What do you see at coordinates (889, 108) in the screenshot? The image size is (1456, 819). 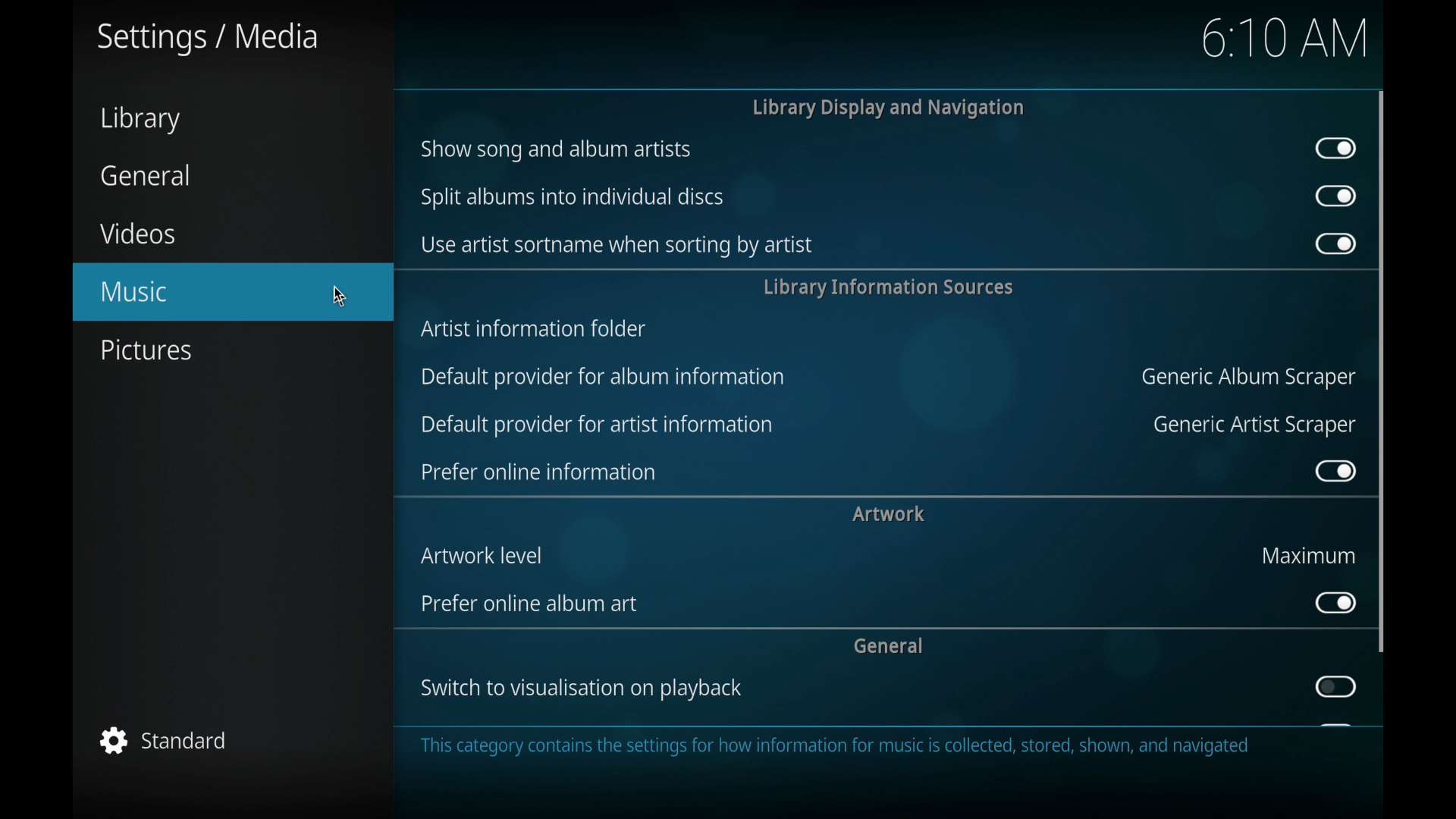 I see `library display` at bounding box center [889, 108].